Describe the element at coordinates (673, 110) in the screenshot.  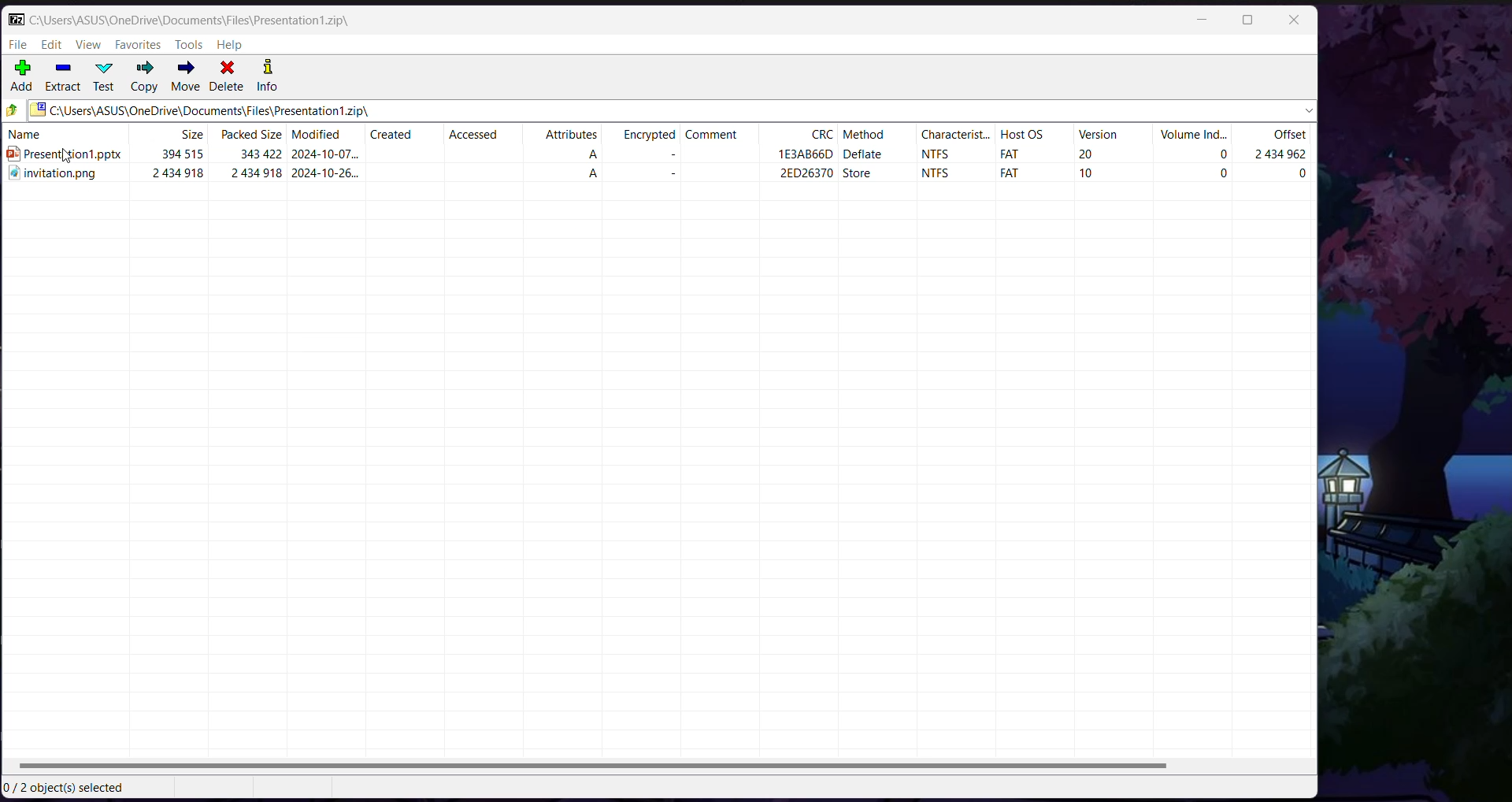
I see `Current Folder Path` at that location.